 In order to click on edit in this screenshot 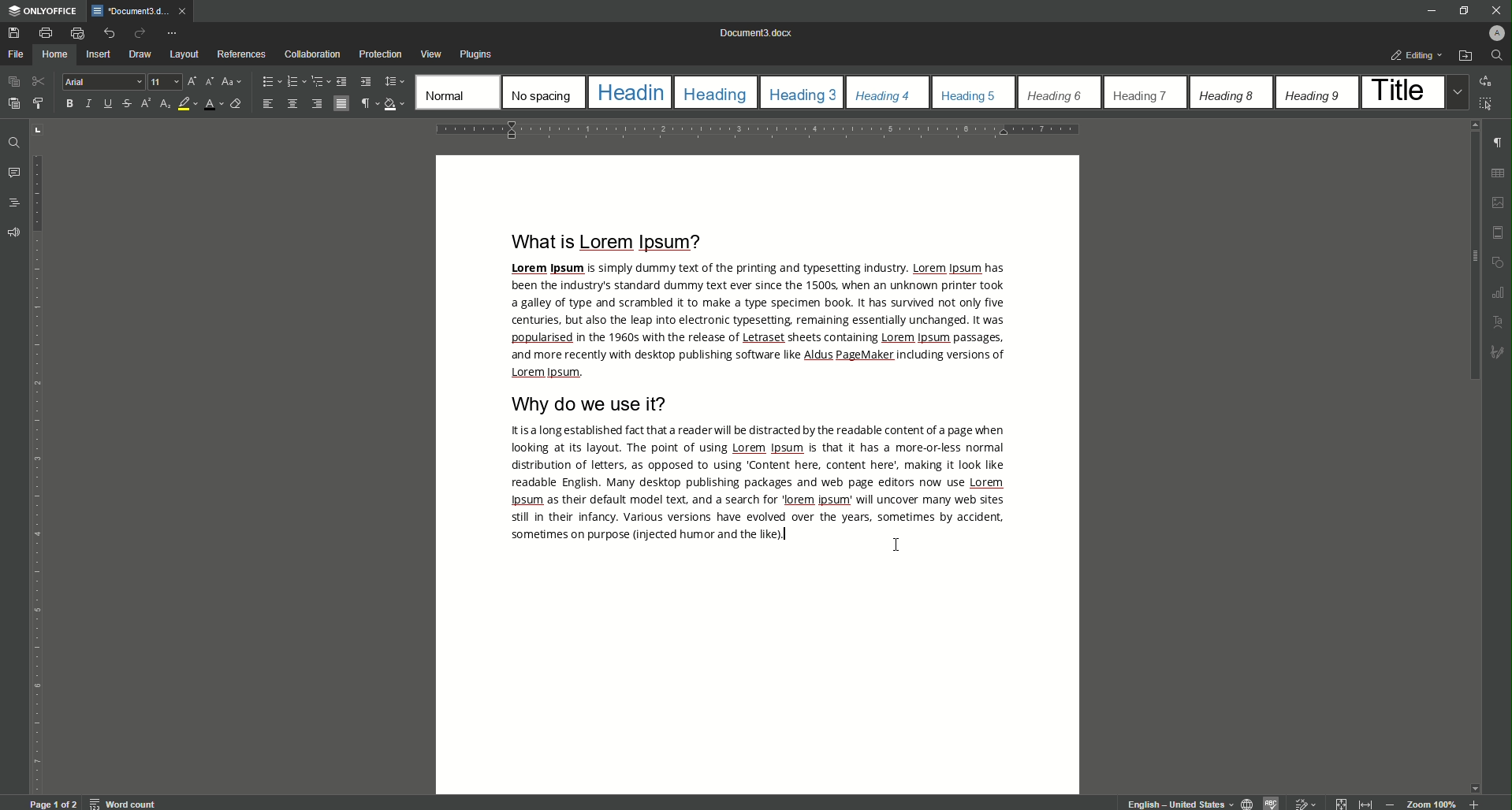, I will do `click(1305, 803)`.